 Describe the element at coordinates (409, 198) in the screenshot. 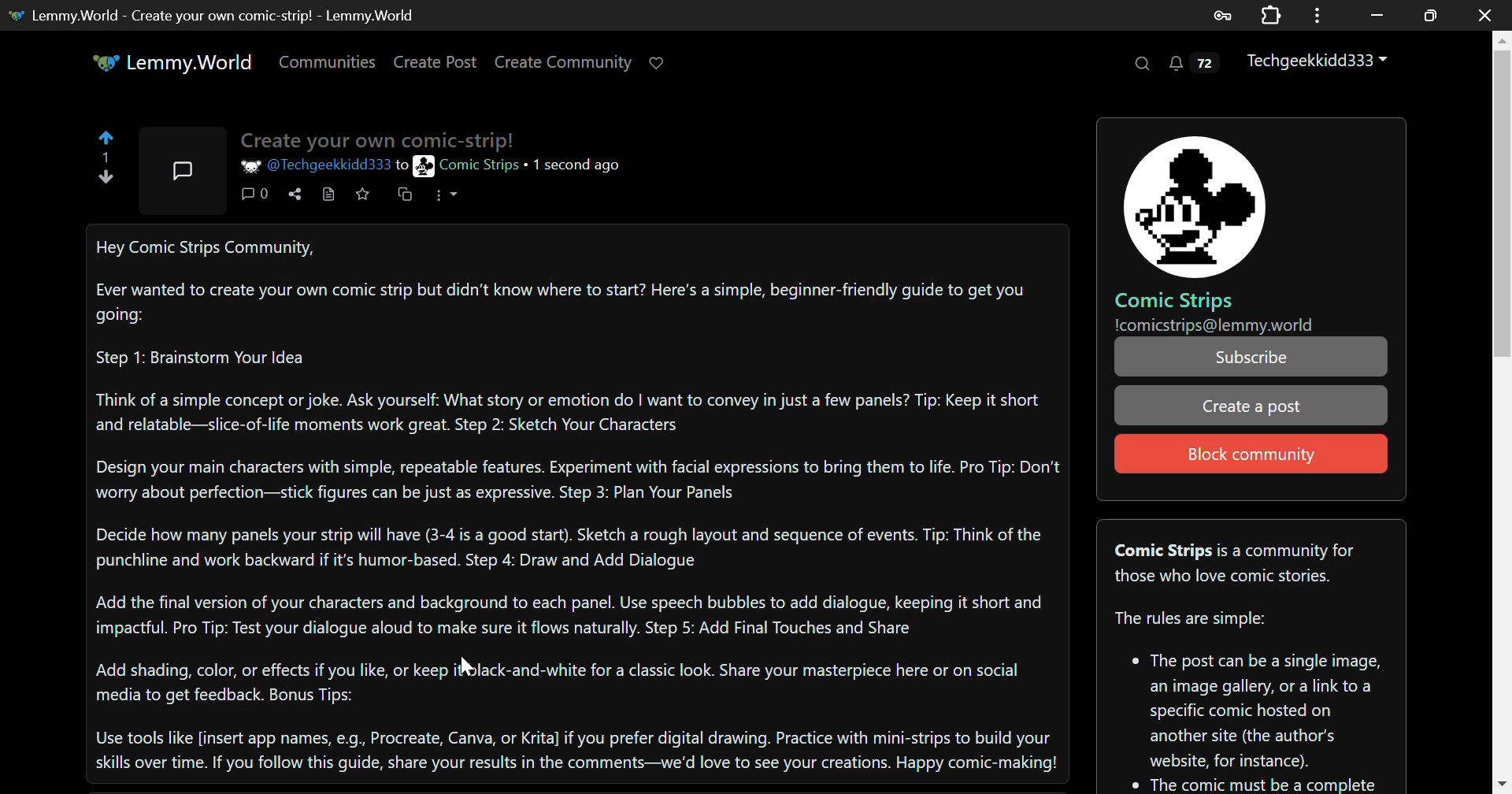

I see `Cross-post` at that location.